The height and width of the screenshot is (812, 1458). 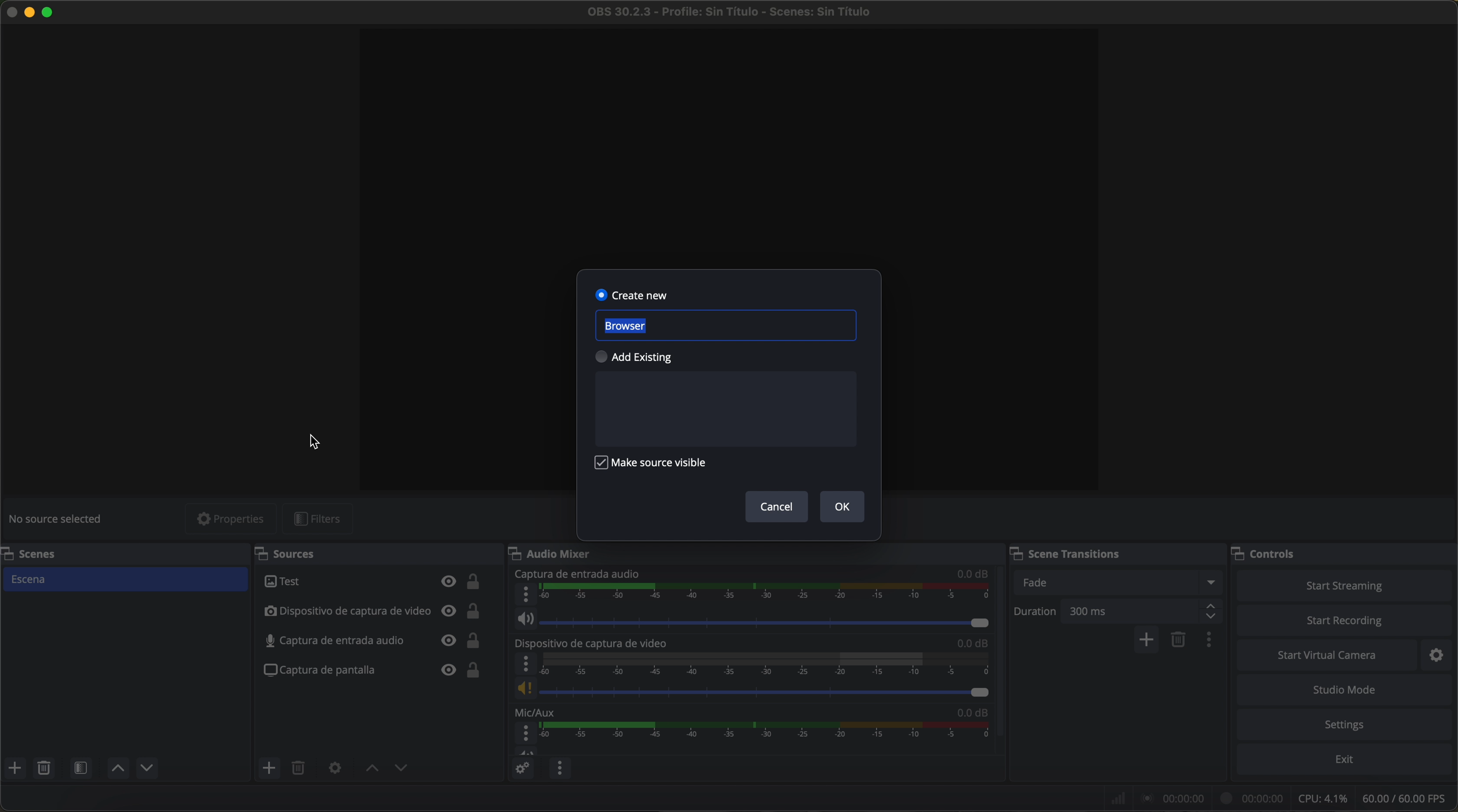 I want to click on sources, so click(x=294, y=553).